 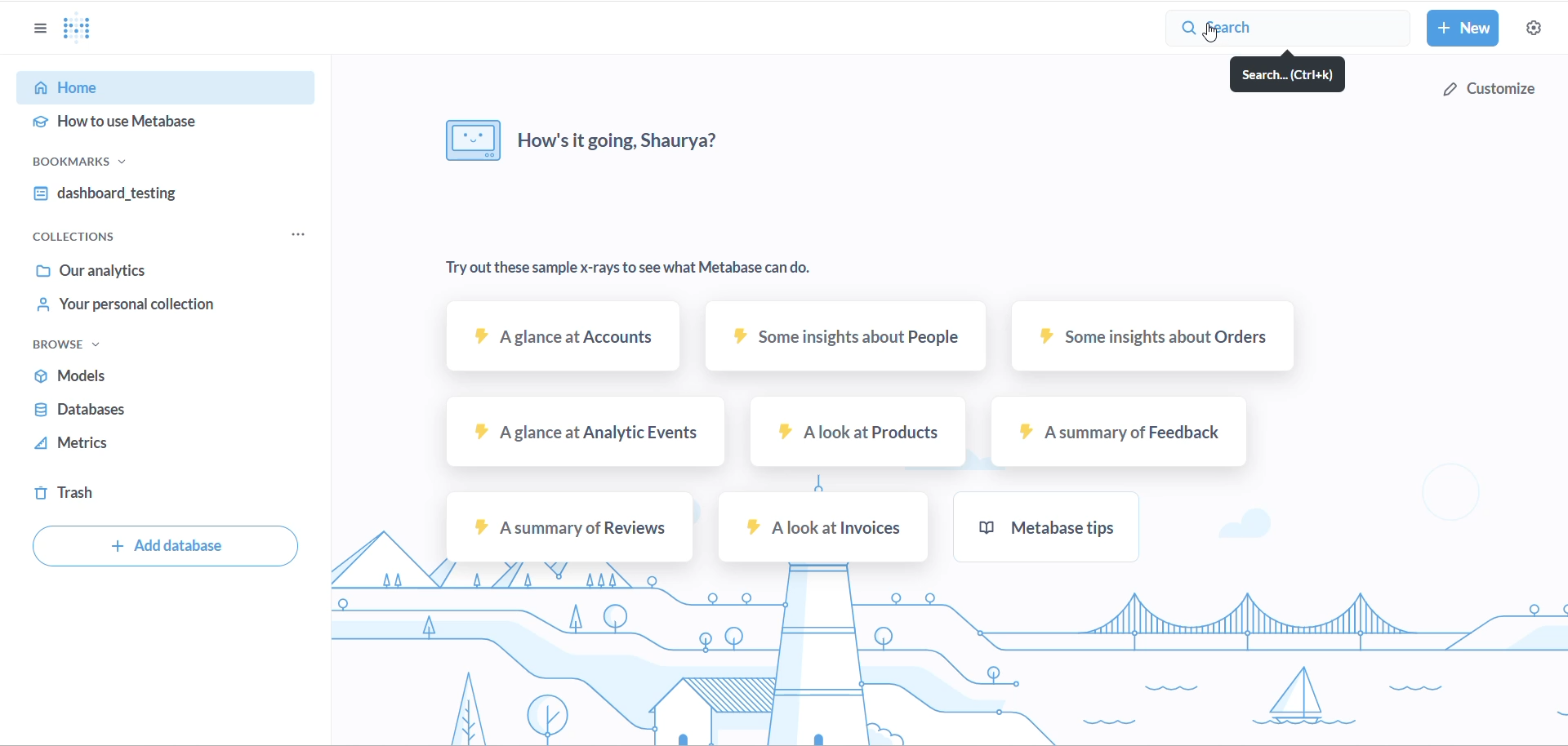 I want to click on collections, so click(x=85, y=238).